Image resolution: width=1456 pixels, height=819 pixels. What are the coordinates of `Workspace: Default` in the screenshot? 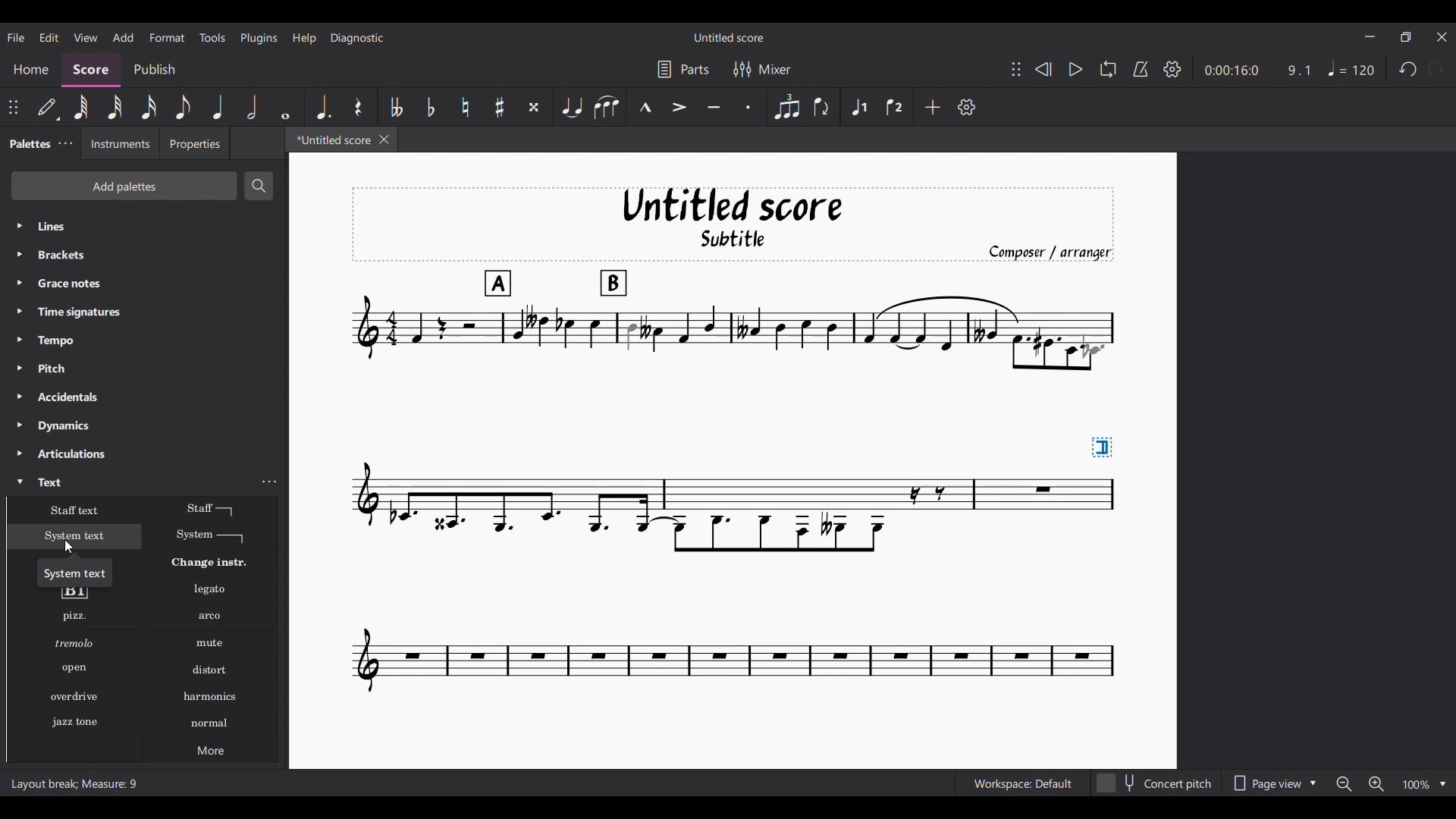 It's located at (1023, 783).